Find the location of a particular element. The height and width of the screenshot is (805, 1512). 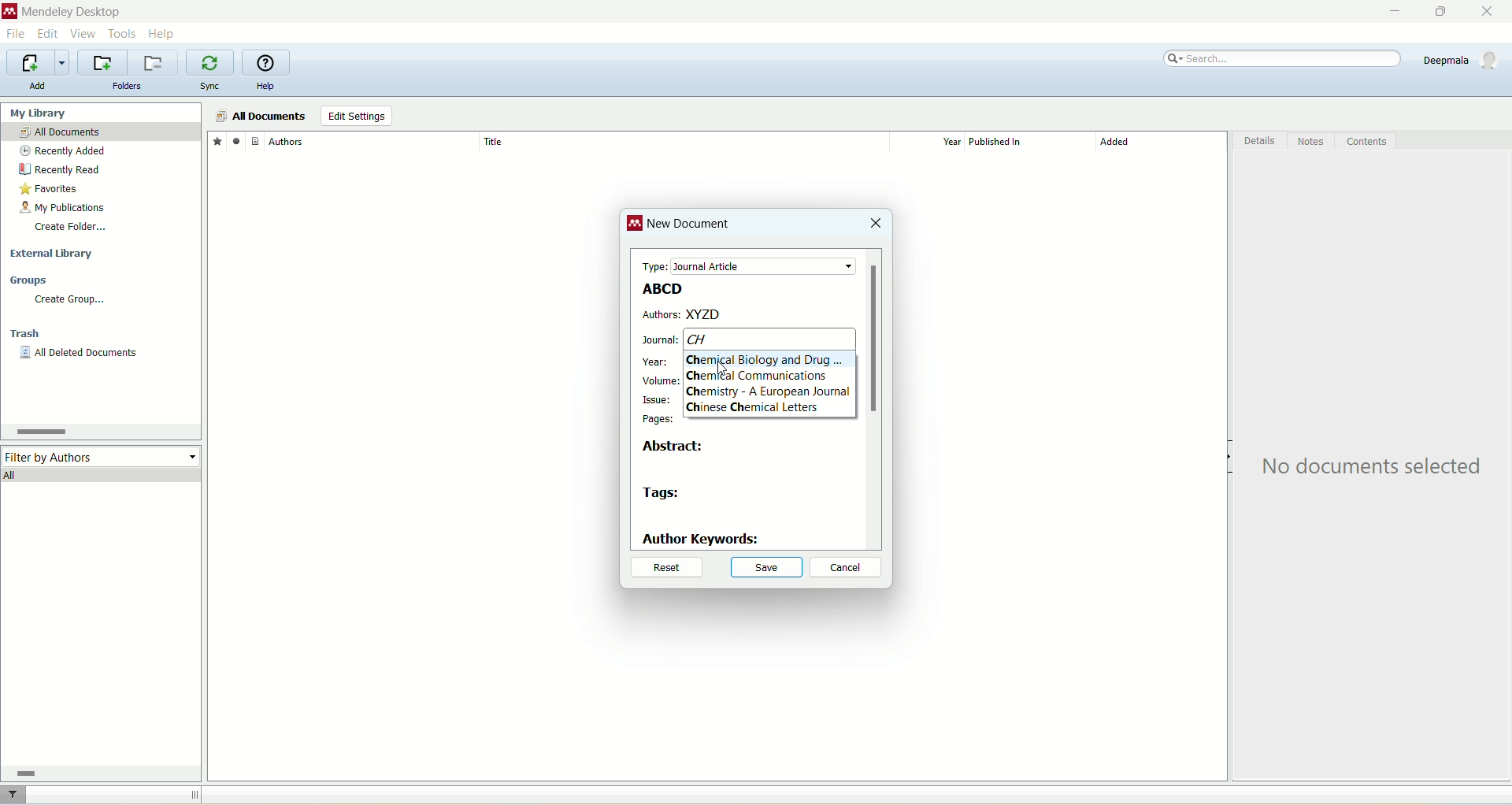

edit settings is located at coordinates (356, 117).